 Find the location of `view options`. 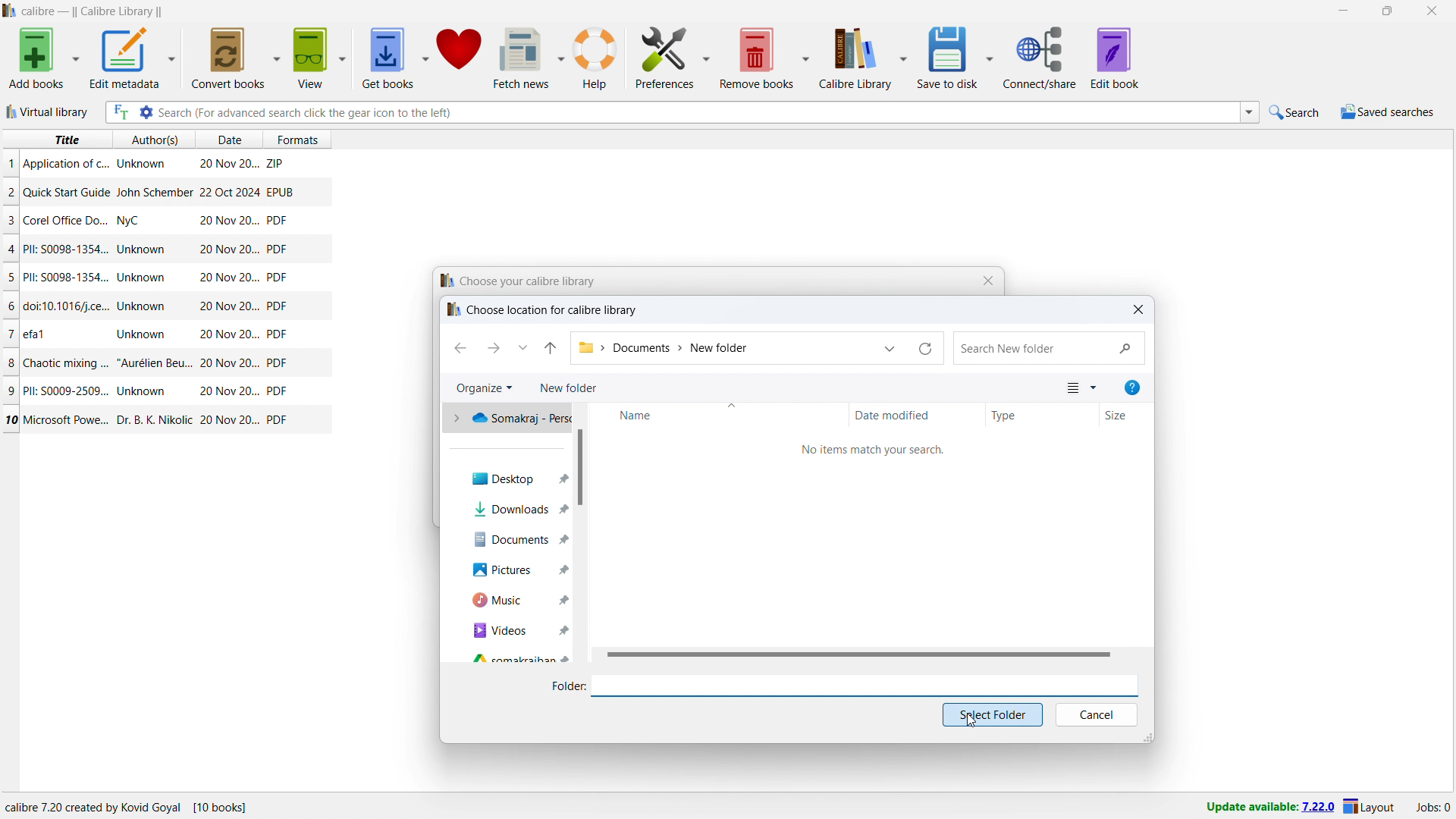

view options is located at coordinates (344, 58).